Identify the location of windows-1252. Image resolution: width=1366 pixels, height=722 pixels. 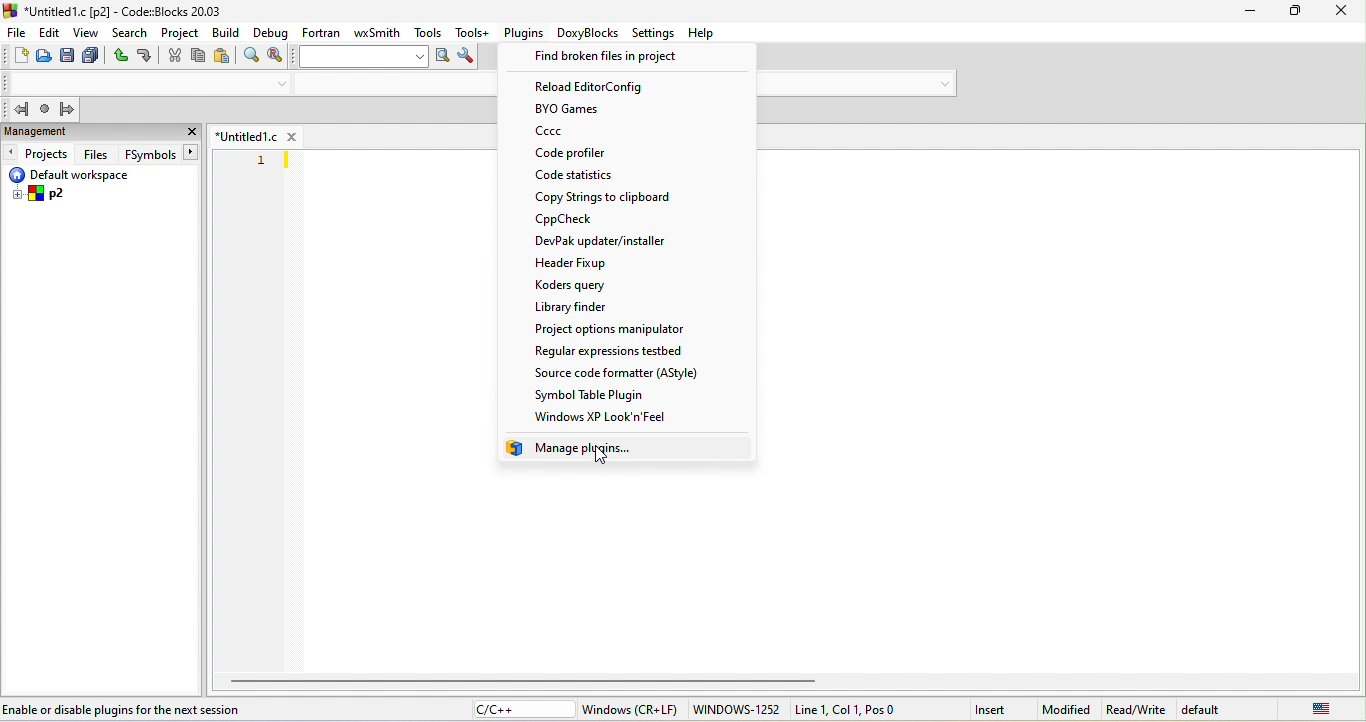
(738, 710).